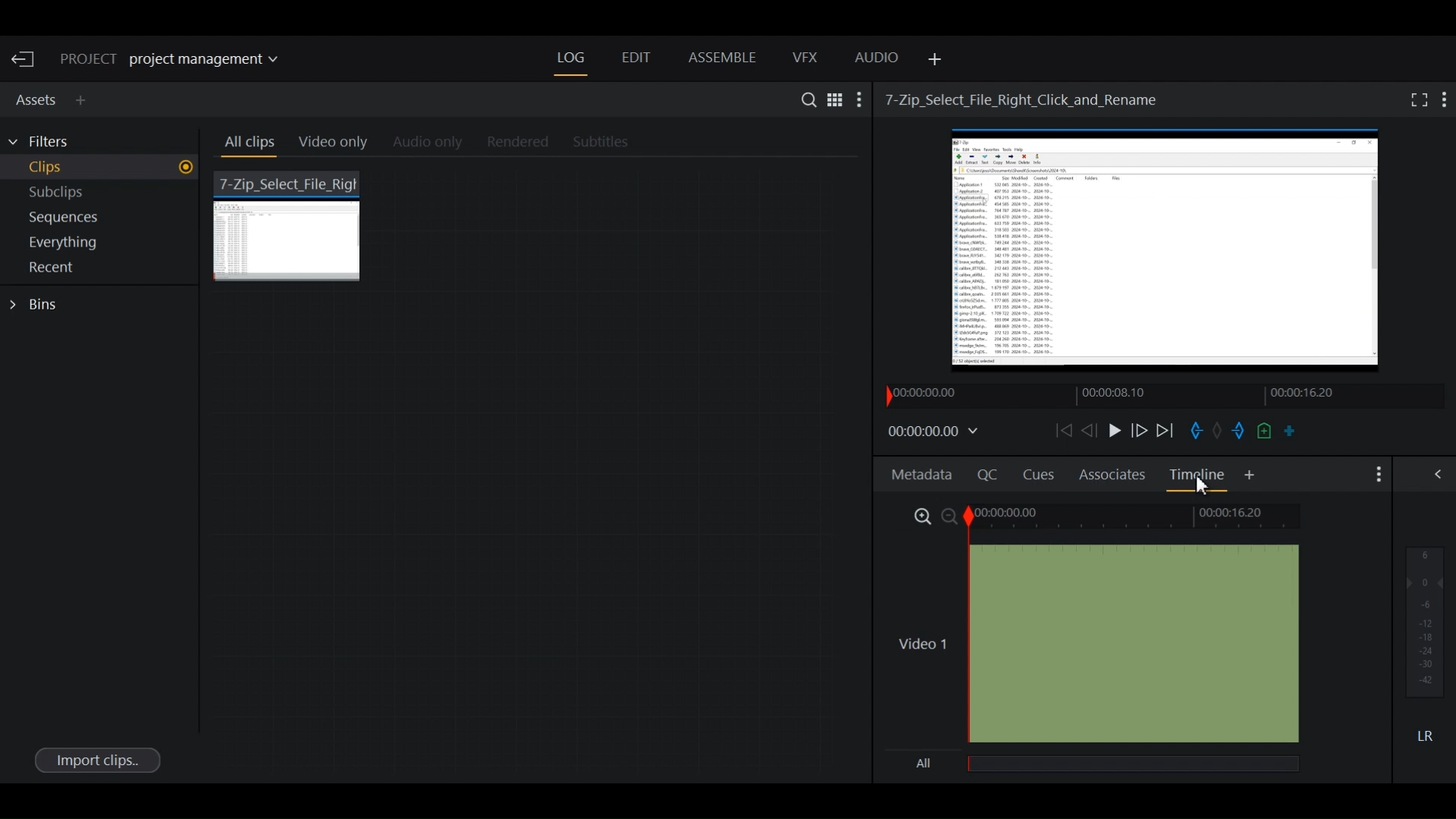 The image size is (1456, 819). I want to click on Add a cue, so click(1264, 431).